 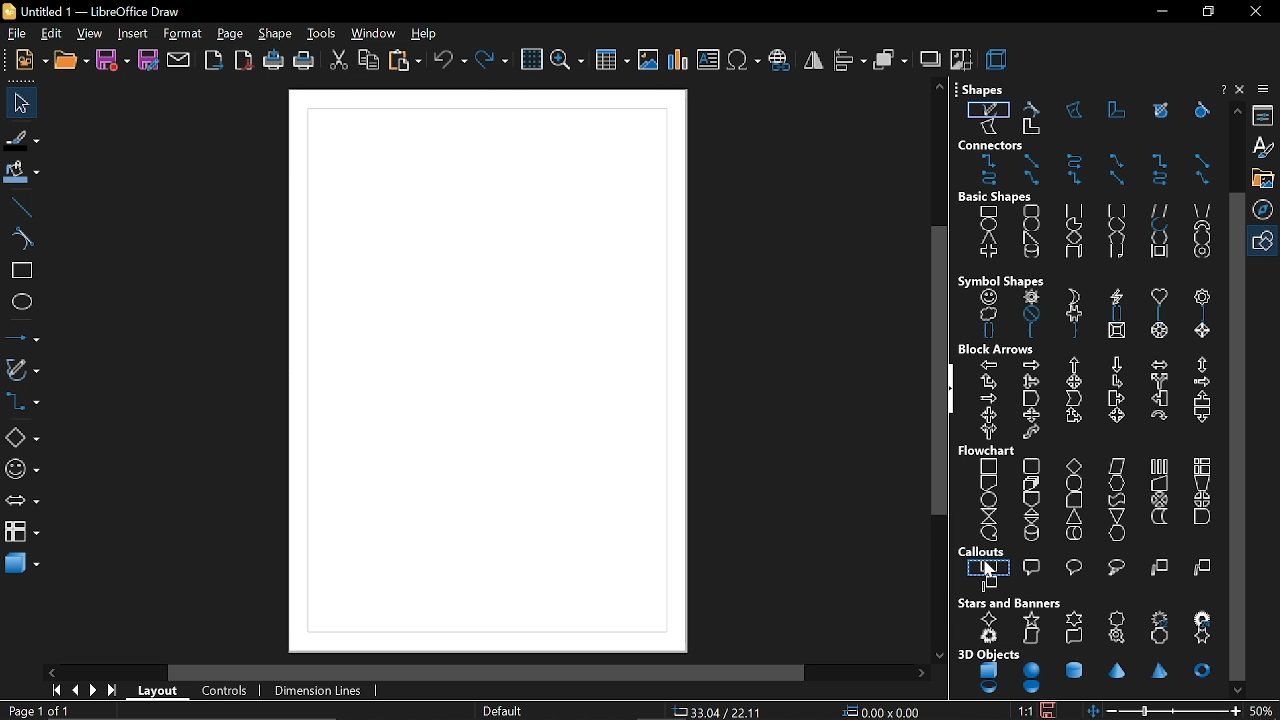 I want to click on magnetic disc, so click(x=1029, y=533).